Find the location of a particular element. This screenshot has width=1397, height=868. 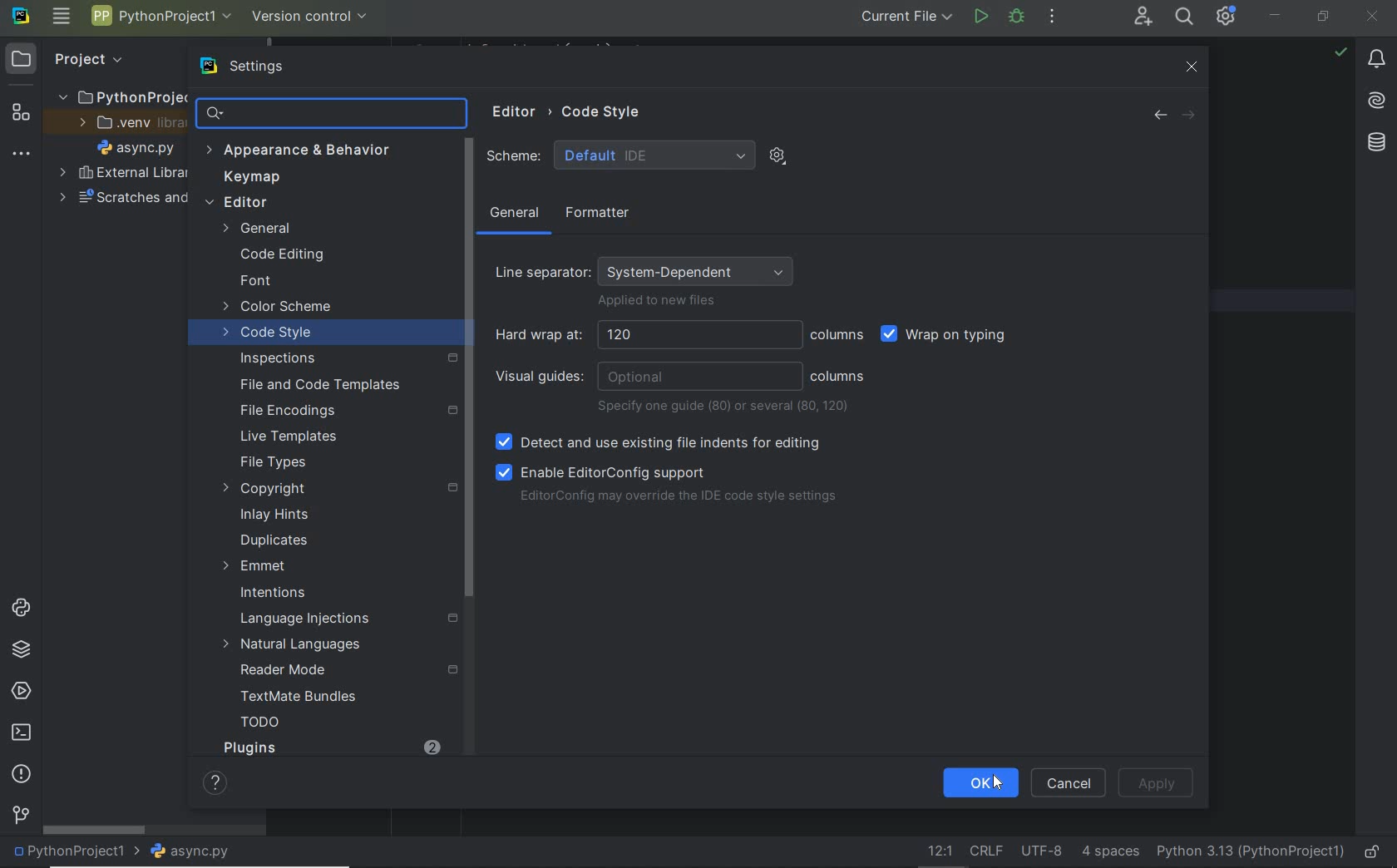

Scheme is located at coordinates (620, 155).